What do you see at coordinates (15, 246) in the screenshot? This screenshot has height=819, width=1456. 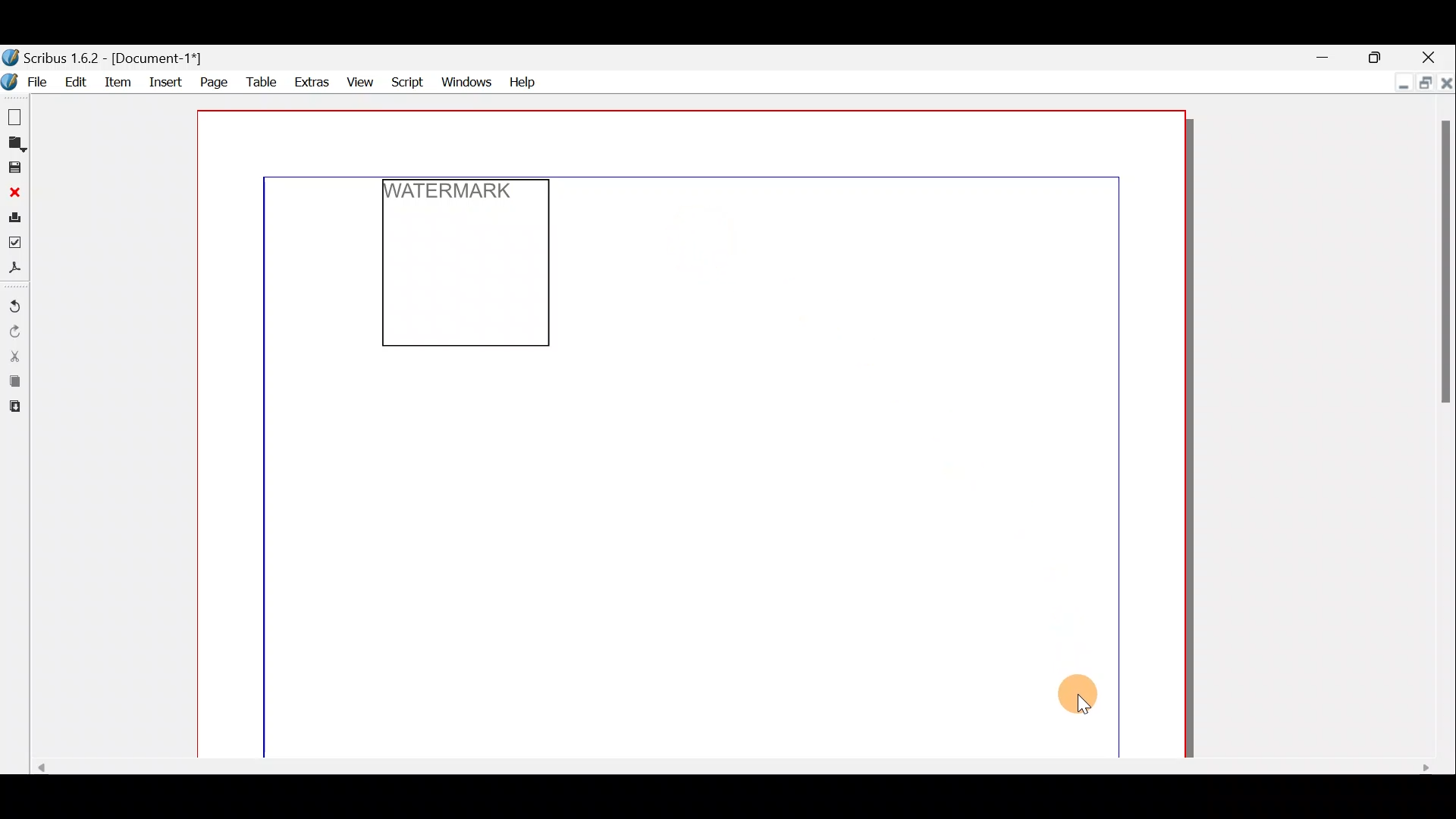 I see `Preflight verifier` at bounding box center [15, 246].